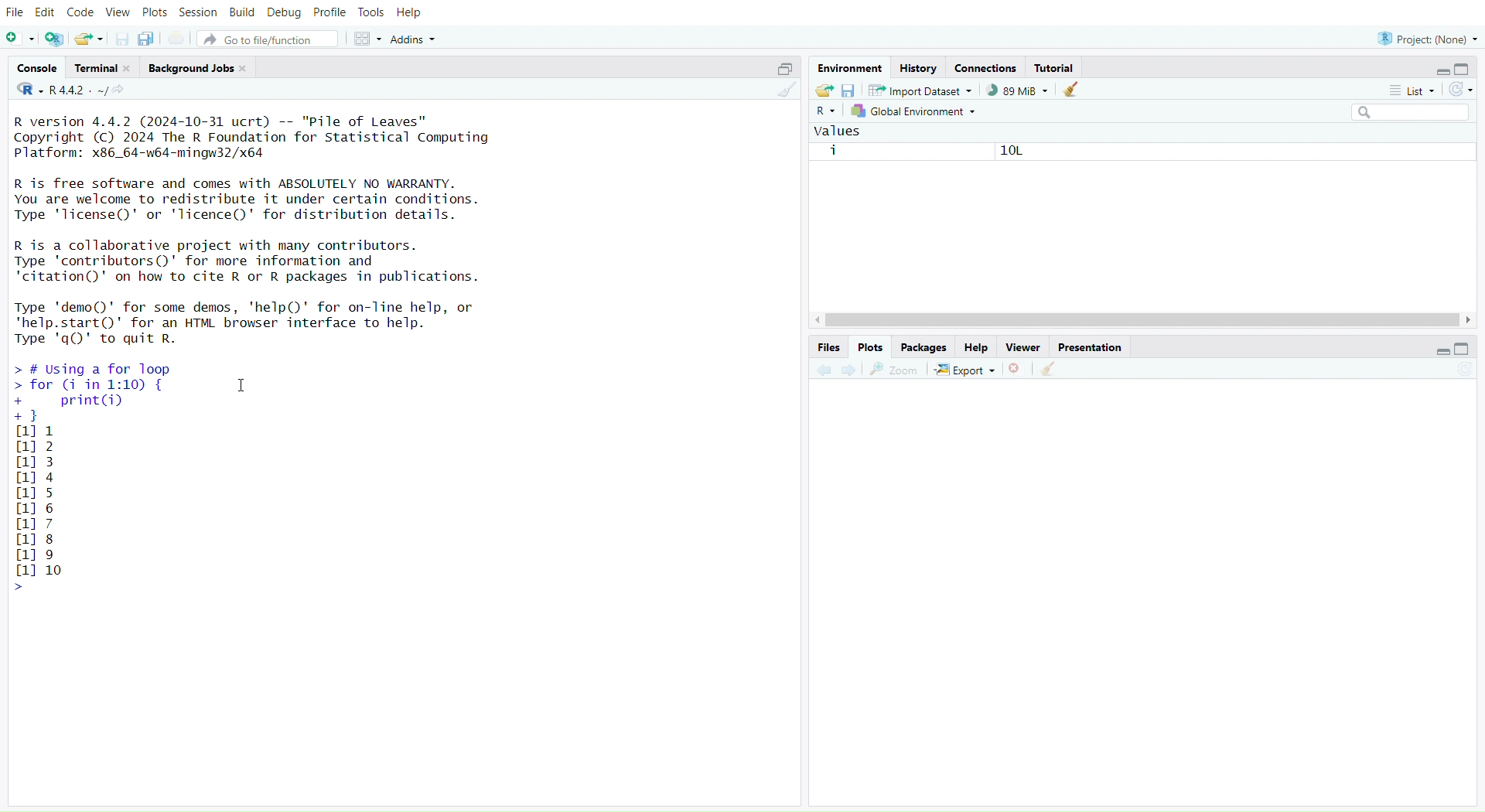 The image size is (1485, 812). I want to click on project (None), so click(1426, 39).